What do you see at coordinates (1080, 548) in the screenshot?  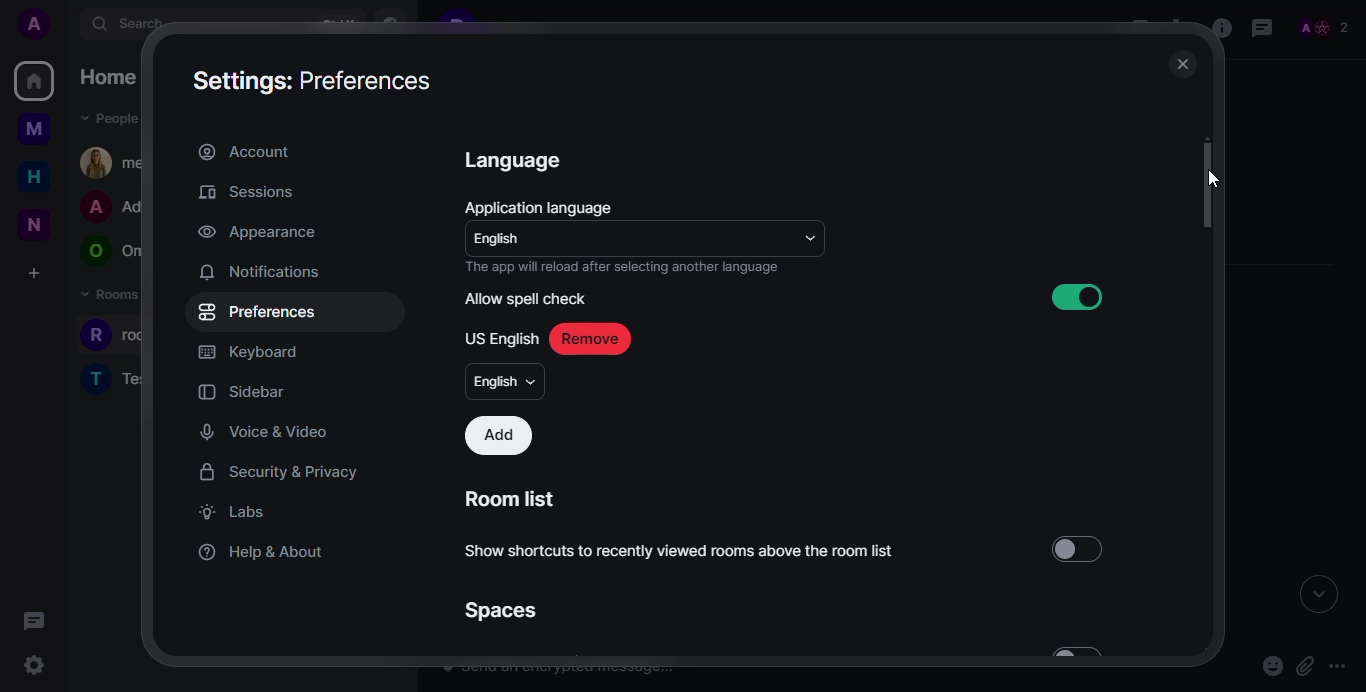 I see `Toggle button` at bounding box center [1080, 548].